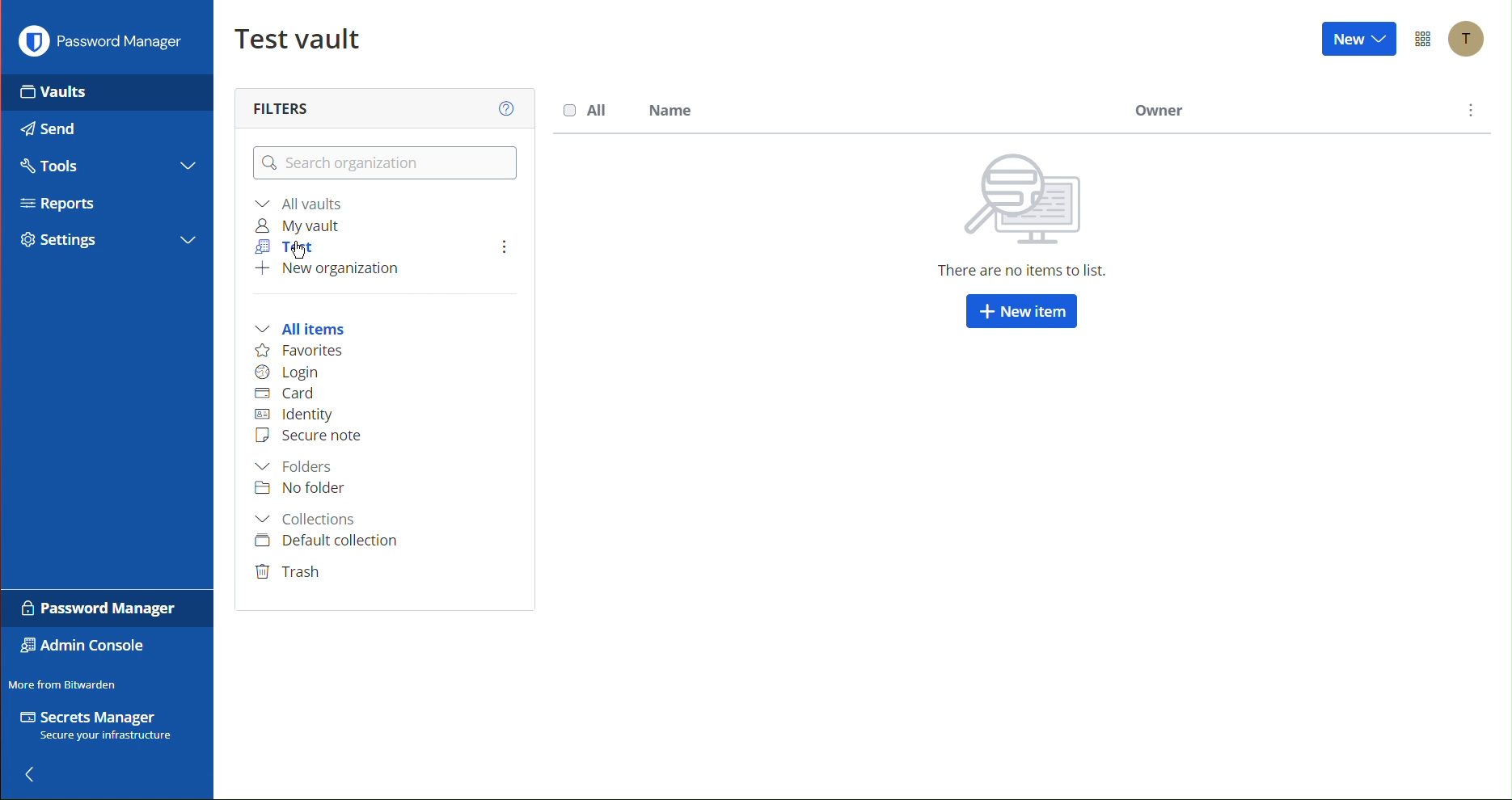  Describe the element at coordinates (100, 45) in the screenshot. I see `Password Manager` at that location.